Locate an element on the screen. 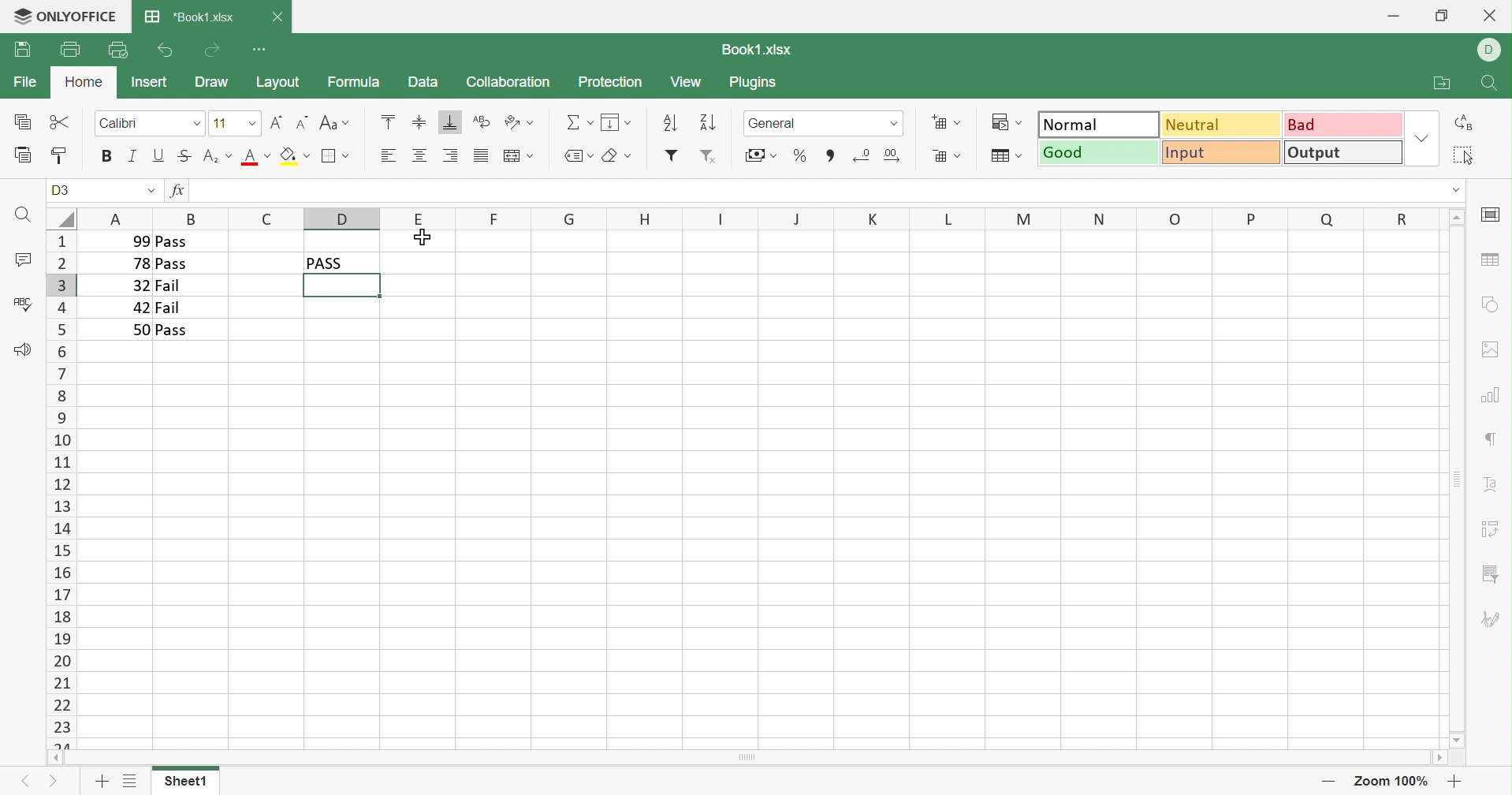 Image resolution: width=1512 pixels, height=795 pixels. Format as table template is located at coordinates (1004, 156).